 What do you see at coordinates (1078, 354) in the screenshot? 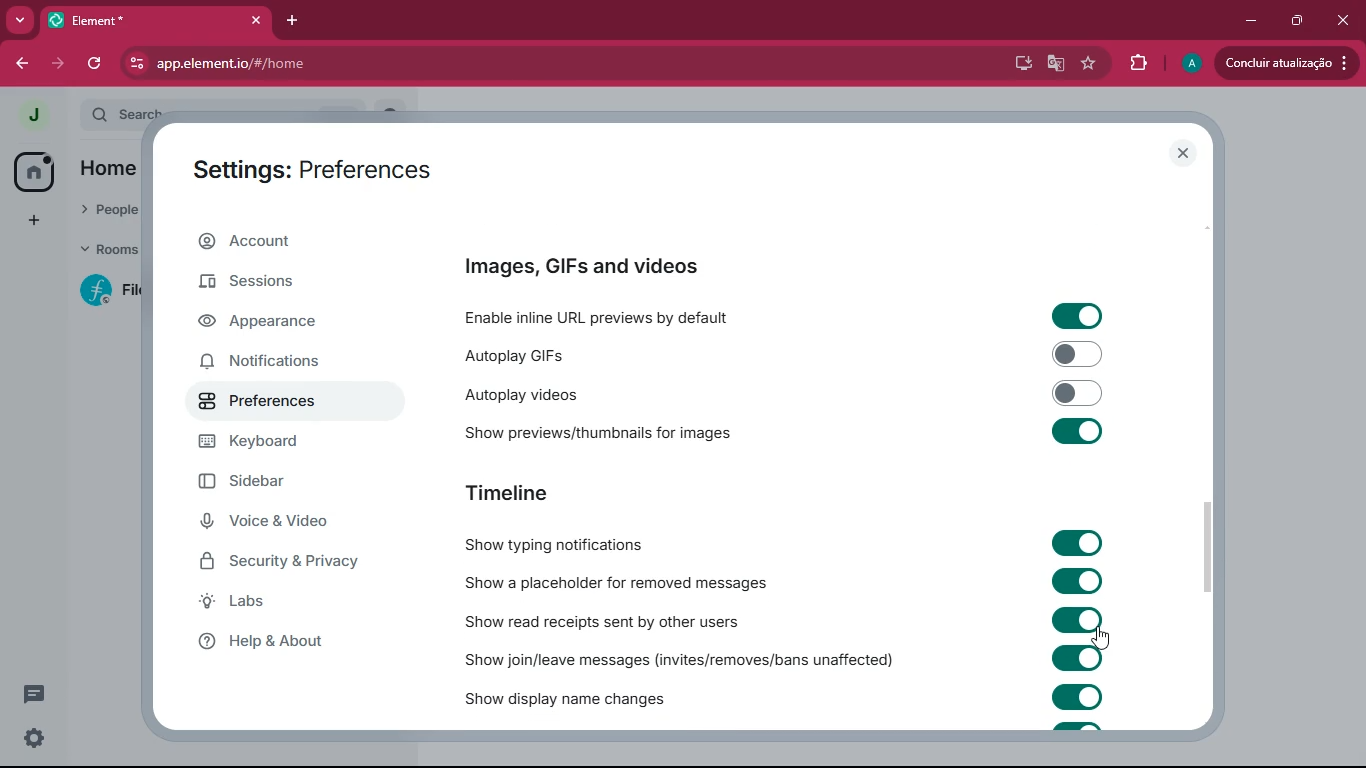
I see `toggle on/off` at bounding box center [1078, 354].